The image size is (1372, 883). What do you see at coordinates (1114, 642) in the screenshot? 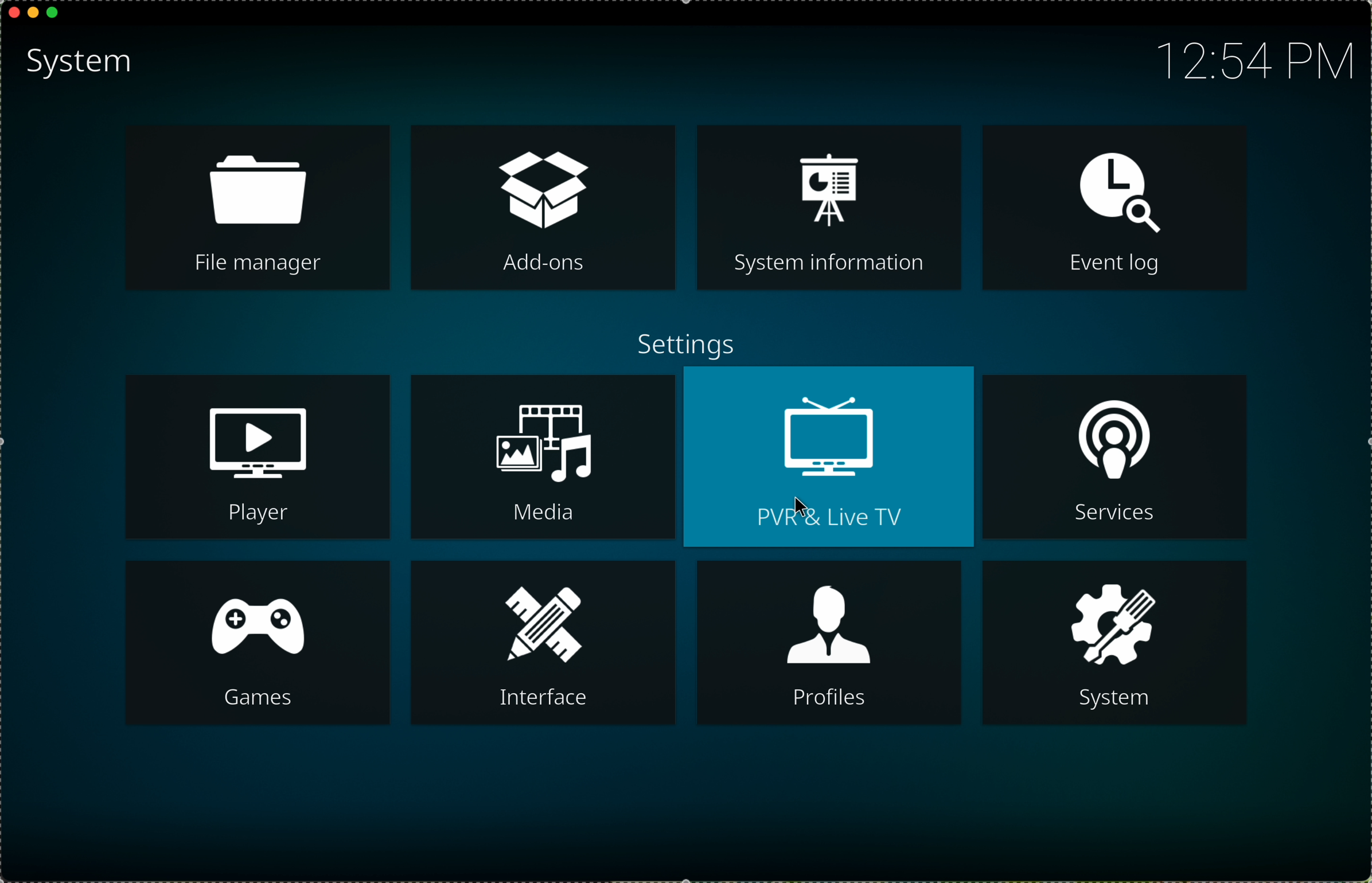
I see `system option` at bounding box center [1114, 642].